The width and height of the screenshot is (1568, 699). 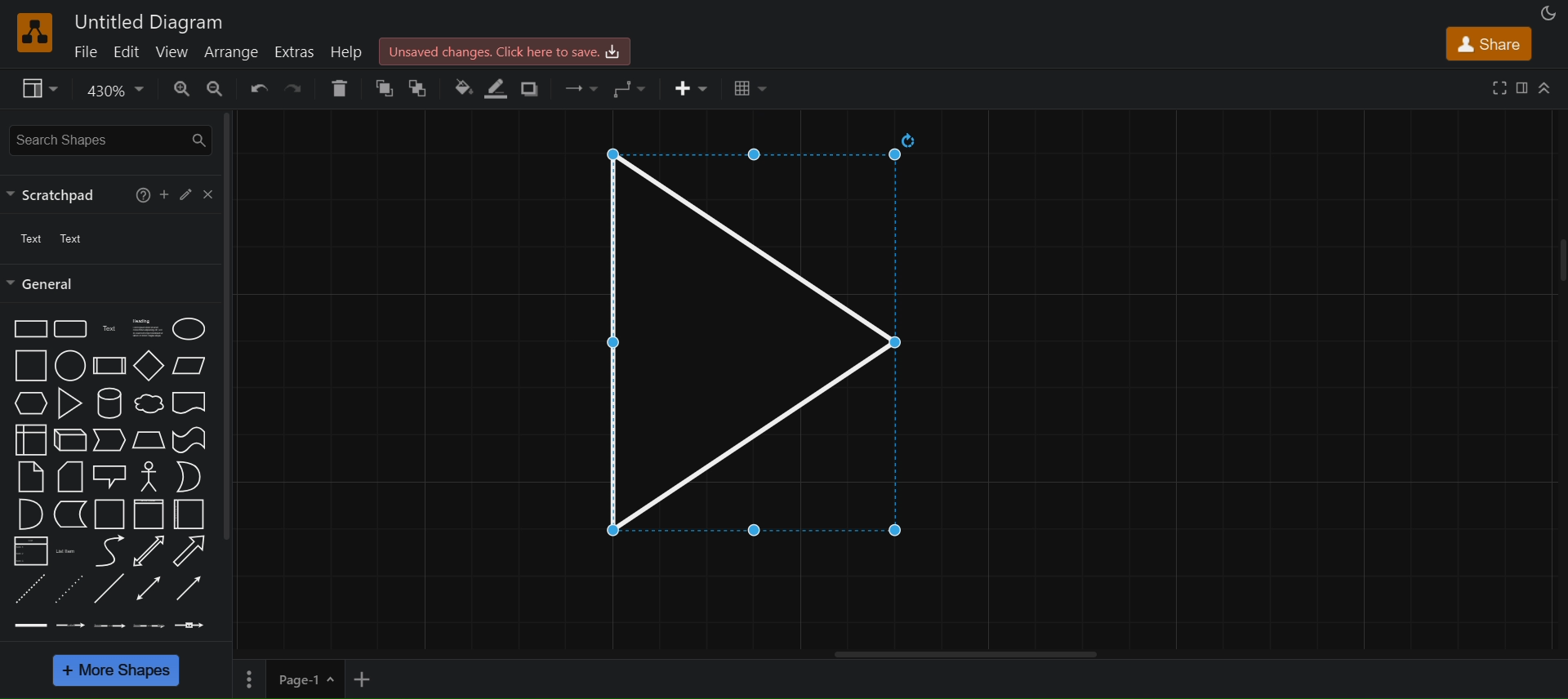 I want to click on share, so click(x=1491, y=42).